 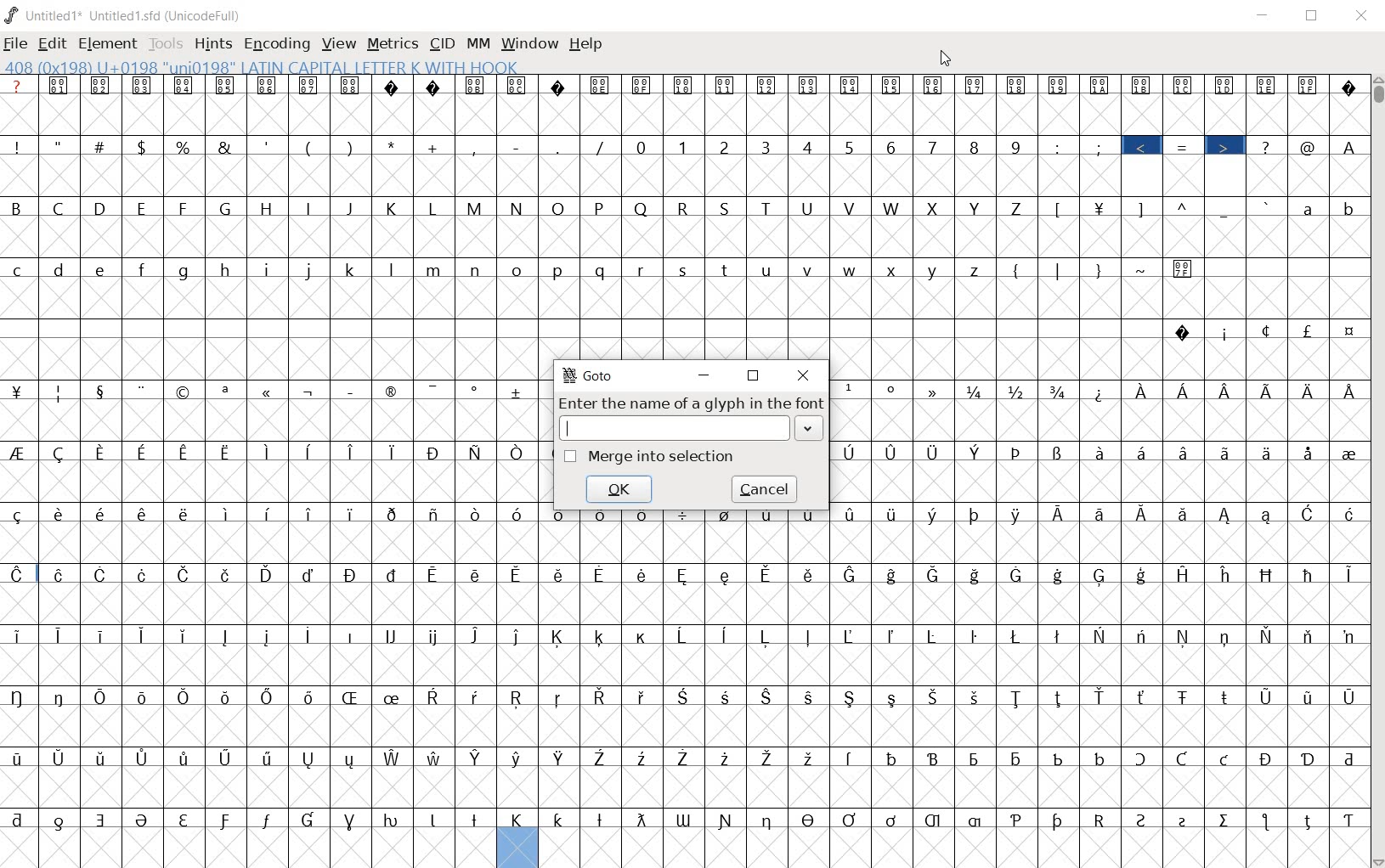 What do you see at coordinates (1348, 146) in the screenshot?
I see `` at bounding box center [1348, 146].